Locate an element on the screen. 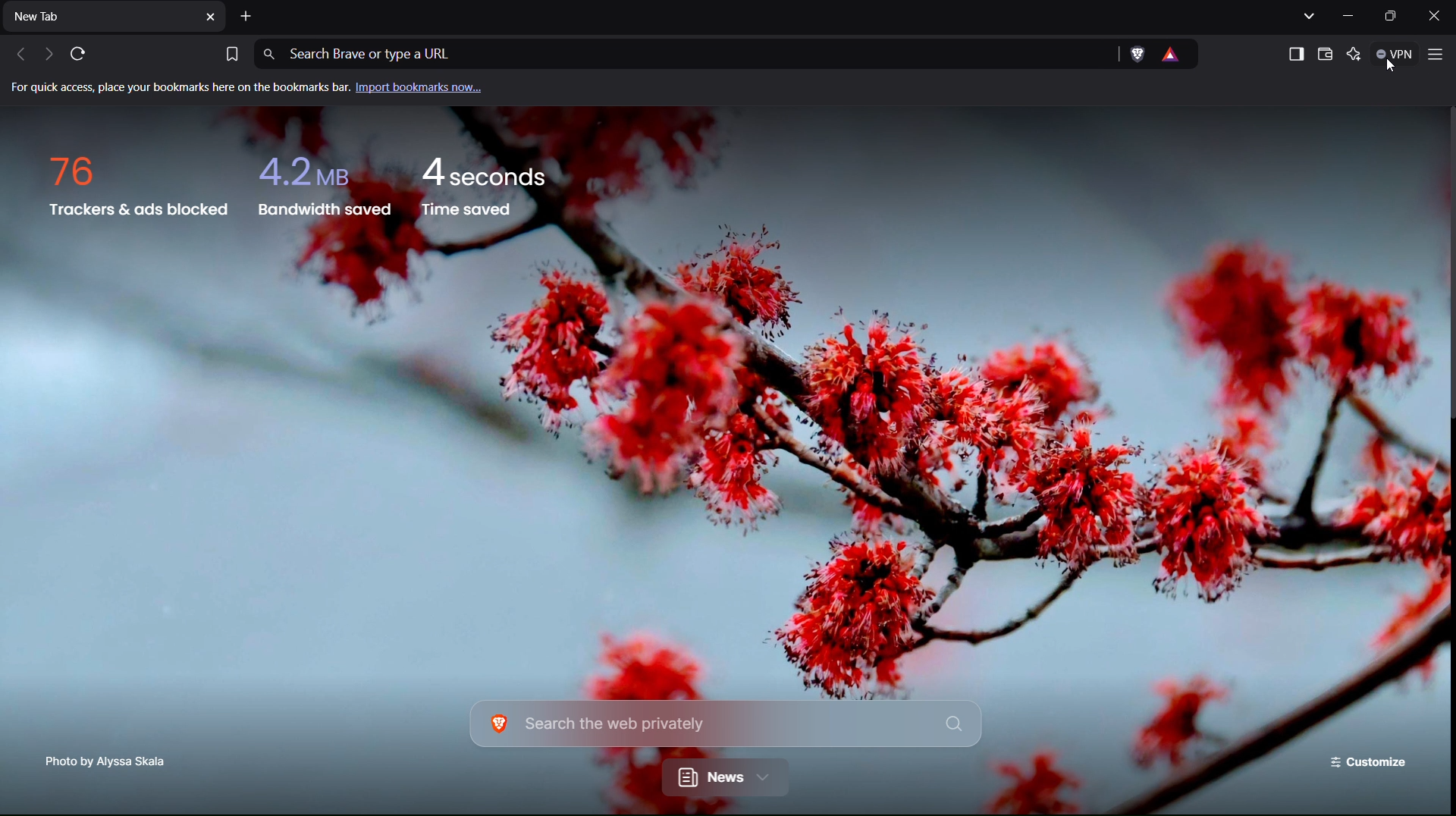  Search bar is located at coordinates (727, 722).